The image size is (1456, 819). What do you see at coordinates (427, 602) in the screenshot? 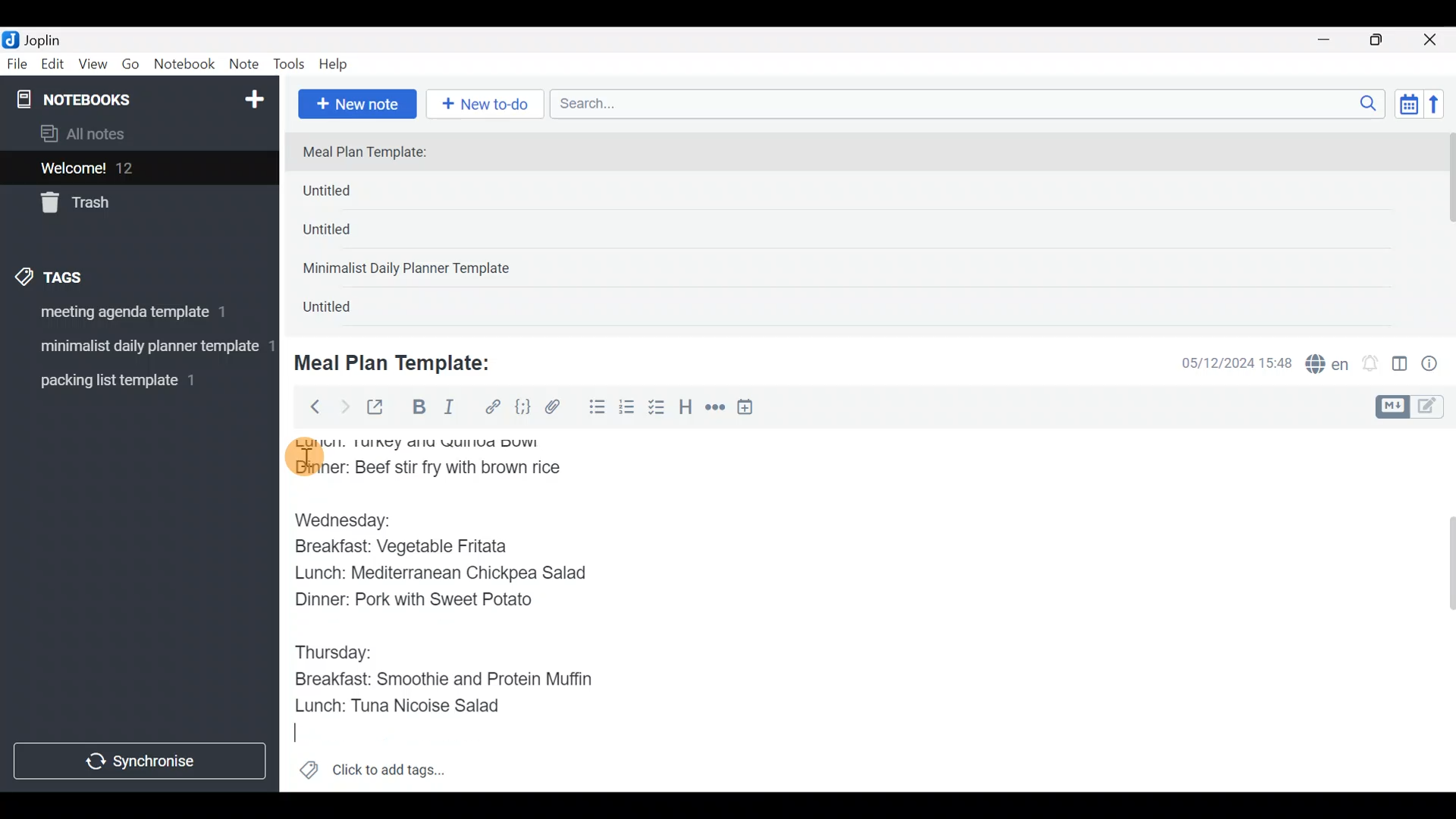
I see `Dinner: Pork with Sweet Potato` at bounding box center [427, 602].